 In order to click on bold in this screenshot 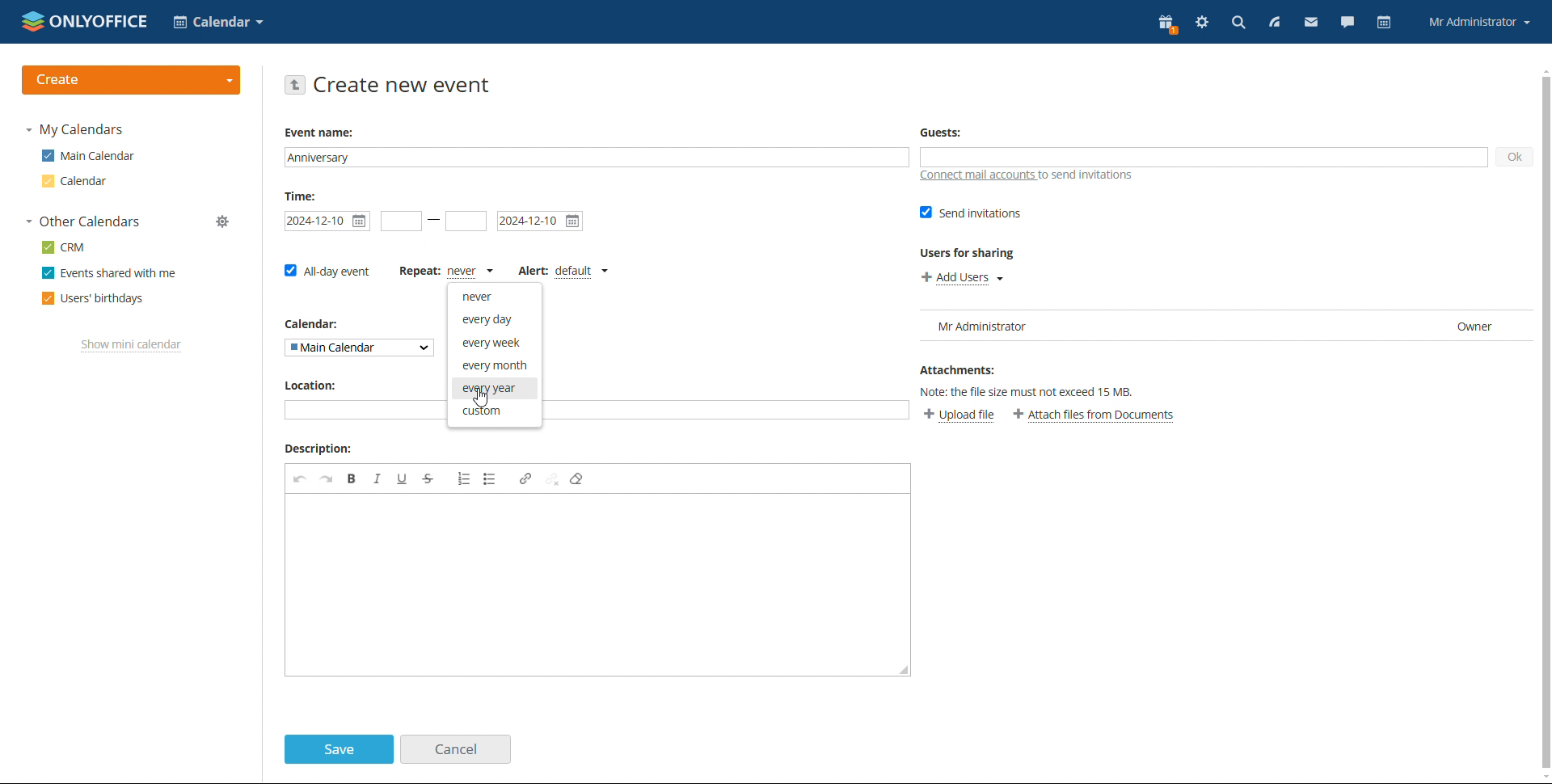, I will do `click(352, 478)`.